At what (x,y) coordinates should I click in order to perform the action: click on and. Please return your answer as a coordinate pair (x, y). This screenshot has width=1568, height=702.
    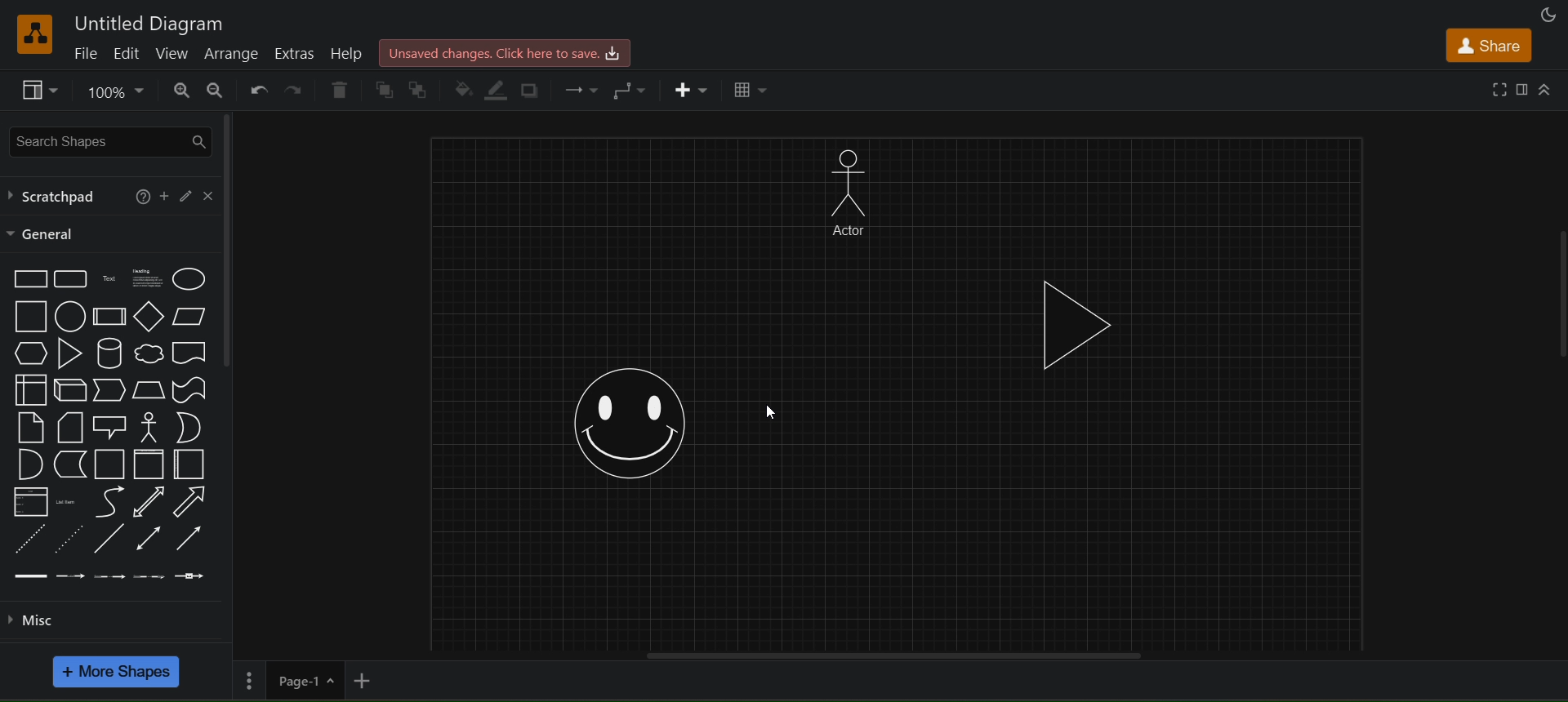
    Looking at the image, I should click on (28, 464).